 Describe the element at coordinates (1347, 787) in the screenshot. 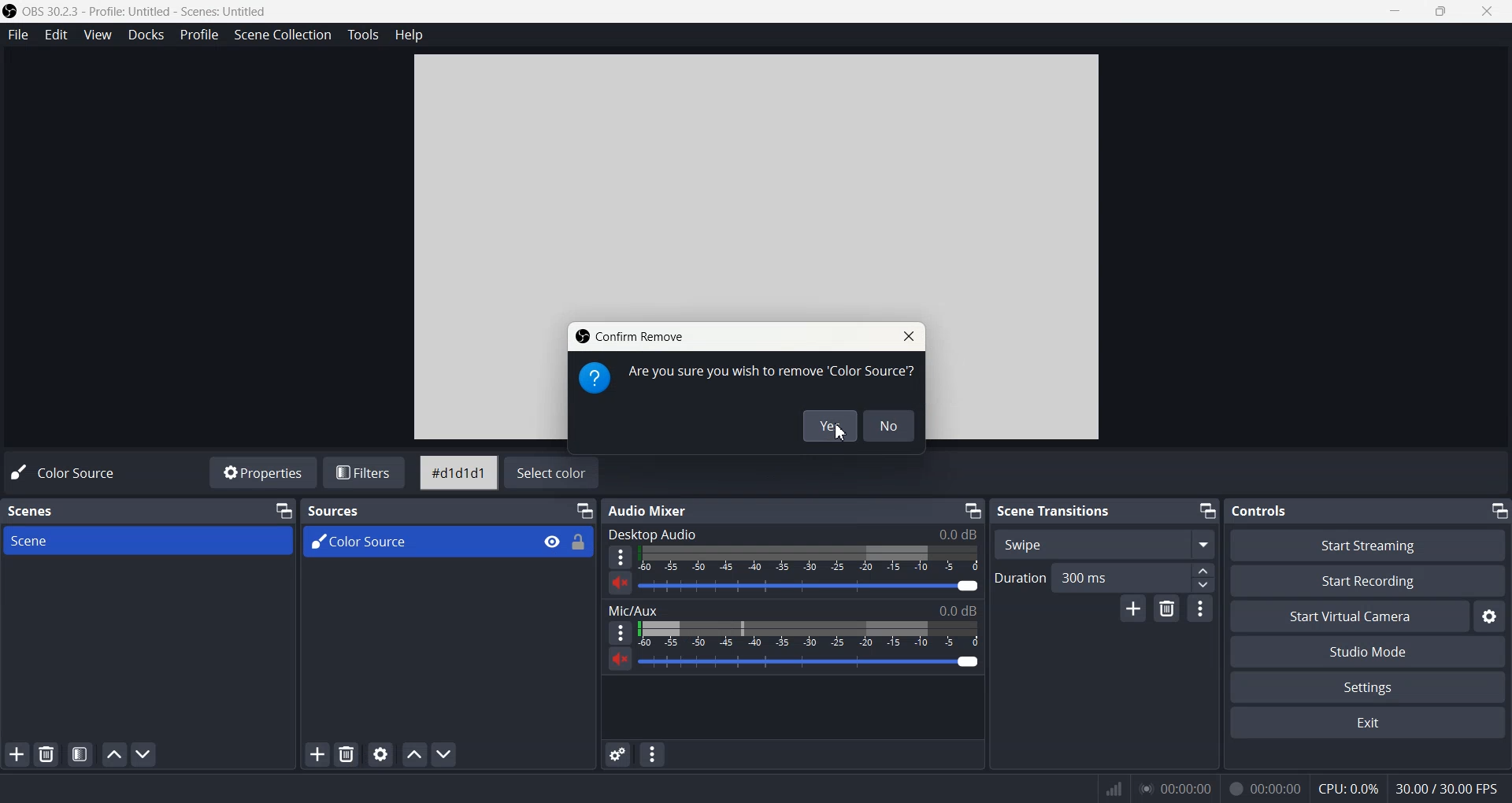

I see `CPU: 0.0%` at that location.